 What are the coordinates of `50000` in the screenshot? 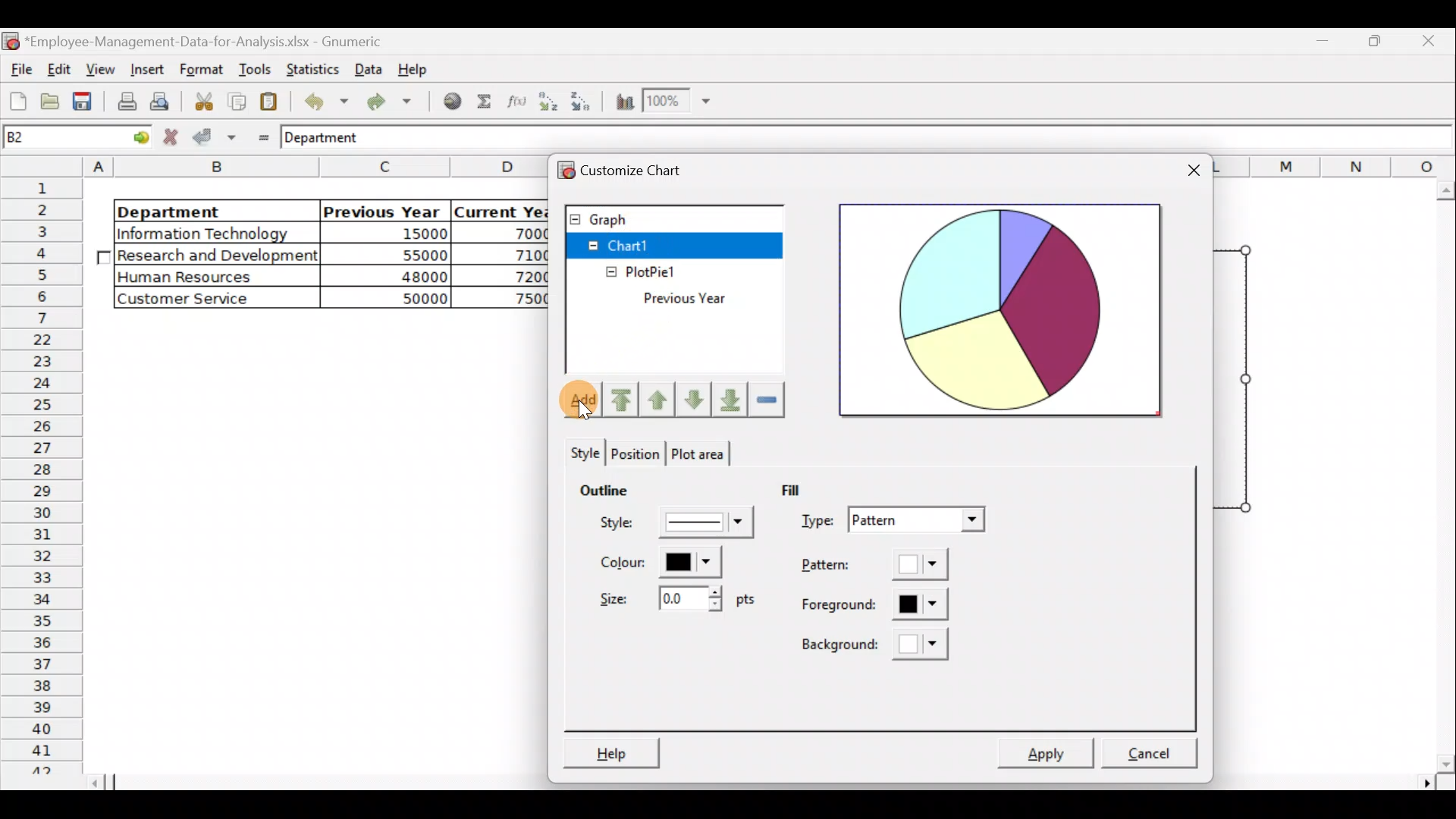 It's located at (402, 297).